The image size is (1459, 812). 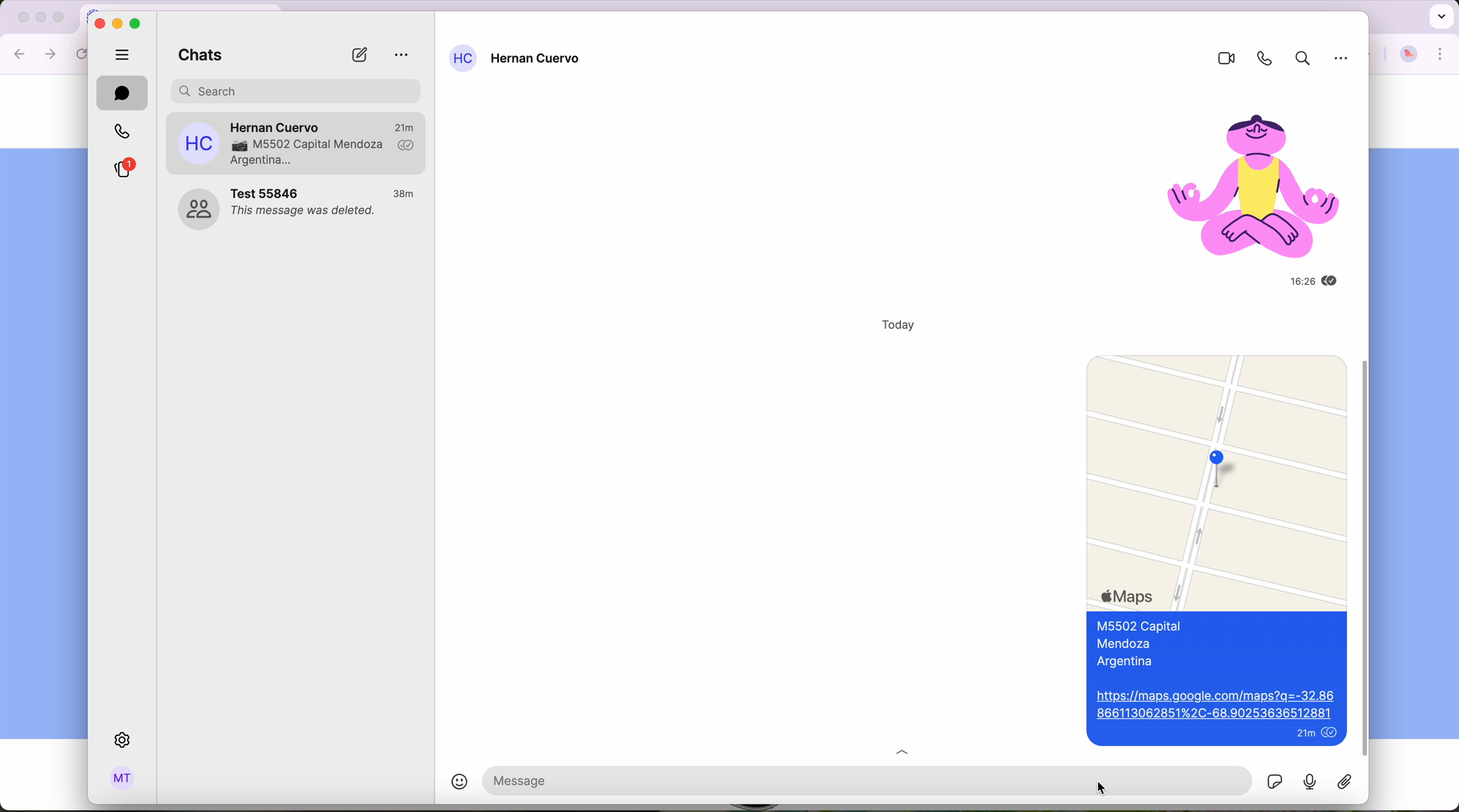 What do you see at coordinates (262, 161) in the screenshot?
I see `Argentina...` at bounding box center [262, 161].